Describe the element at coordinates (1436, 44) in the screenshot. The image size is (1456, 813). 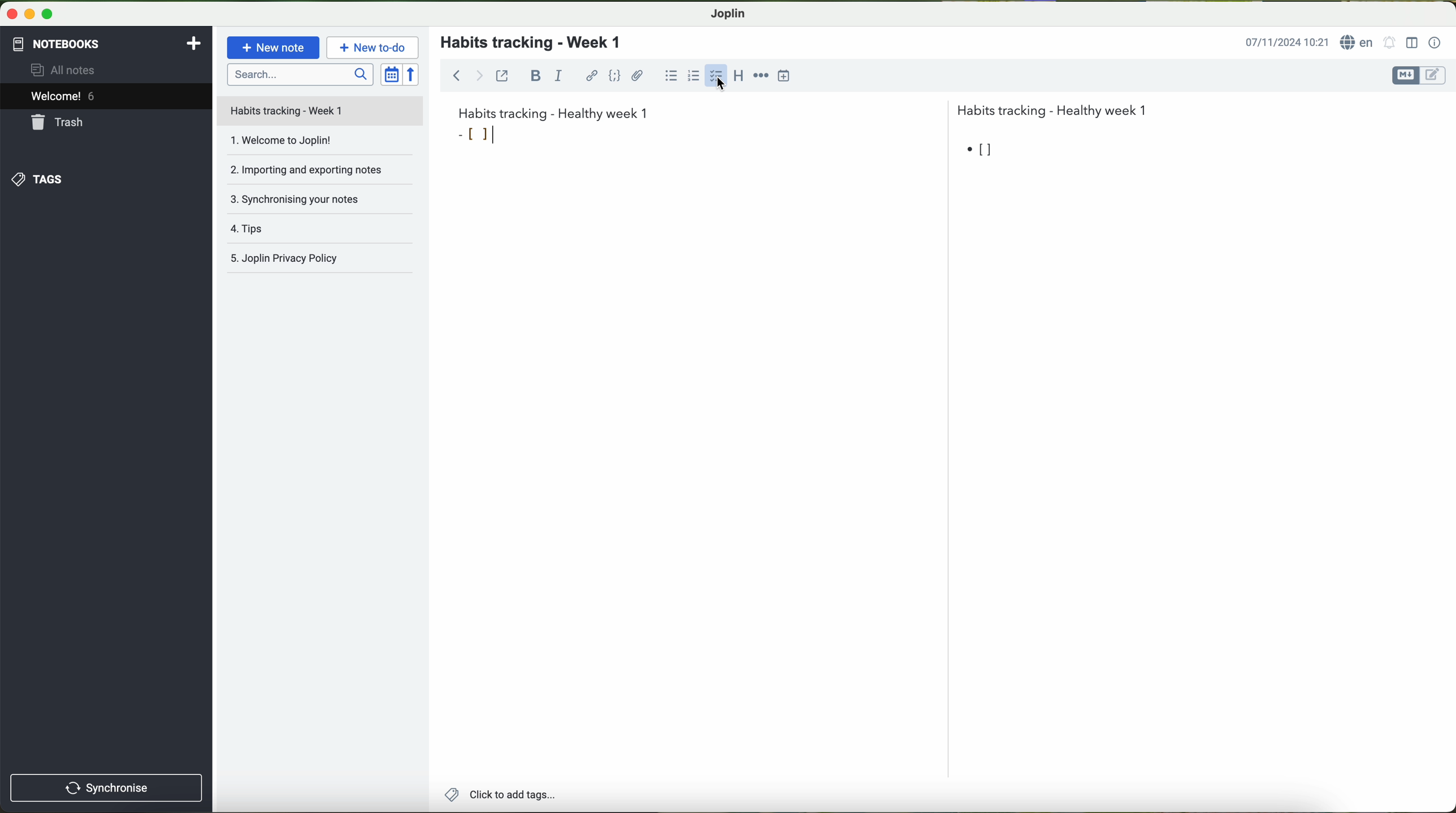
I see `note properties` at that location.